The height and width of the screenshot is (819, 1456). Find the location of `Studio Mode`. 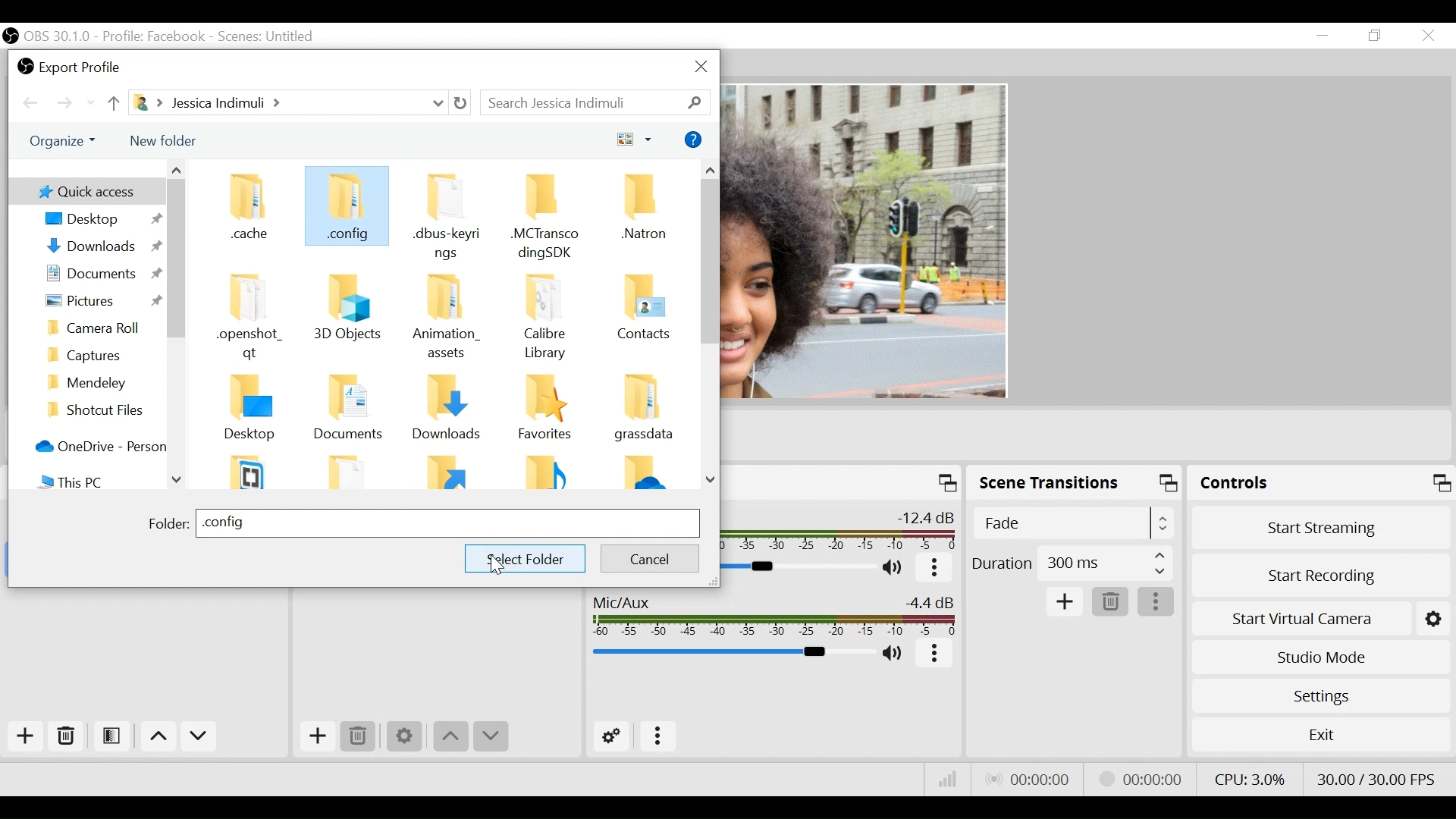

Studio Mode is located at coordinates (1322, 658).